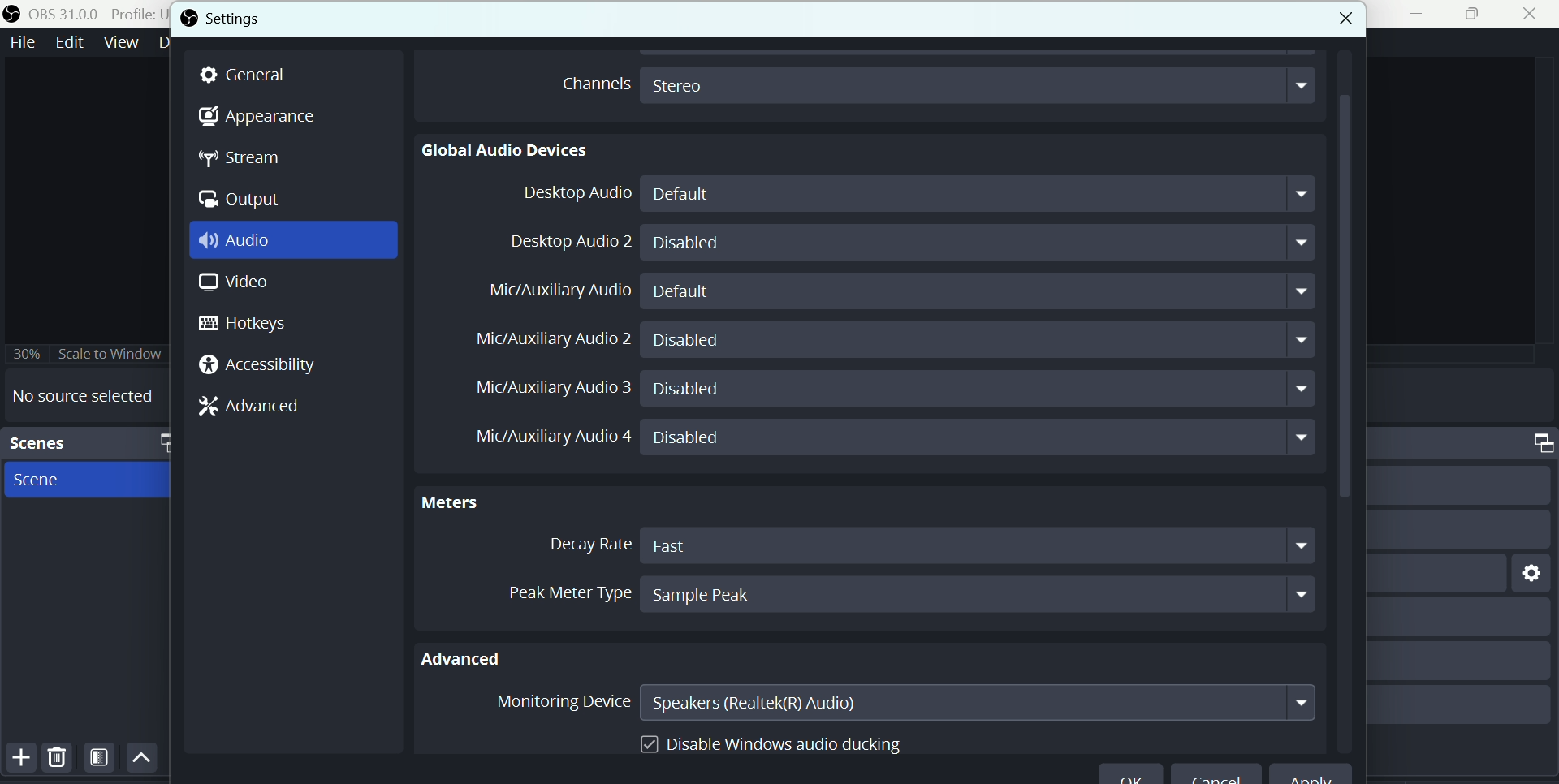 Image resolution: width=1559 pixels, height=784 pixels. I want to click on Delete, so click(57, 760).